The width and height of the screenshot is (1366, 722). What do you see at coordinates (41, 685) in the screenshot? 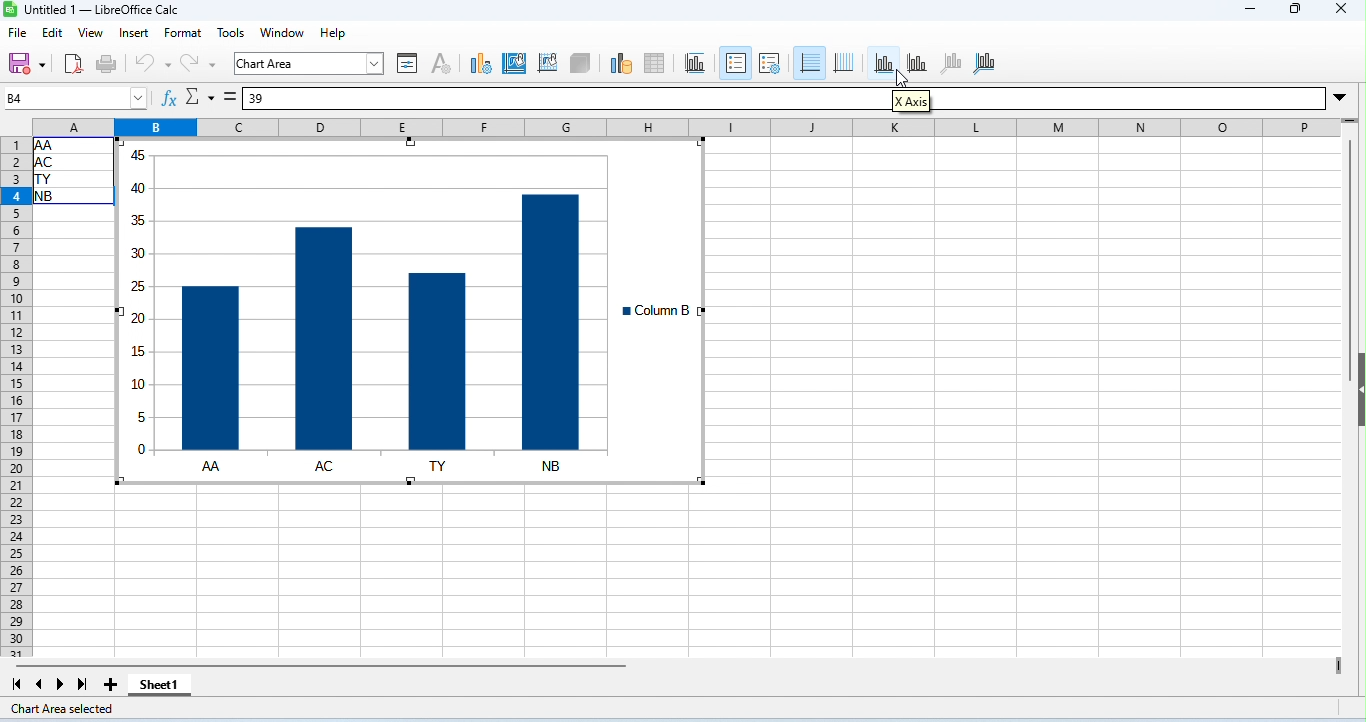
I see `previous sheet` at bounding box center [41, 685].